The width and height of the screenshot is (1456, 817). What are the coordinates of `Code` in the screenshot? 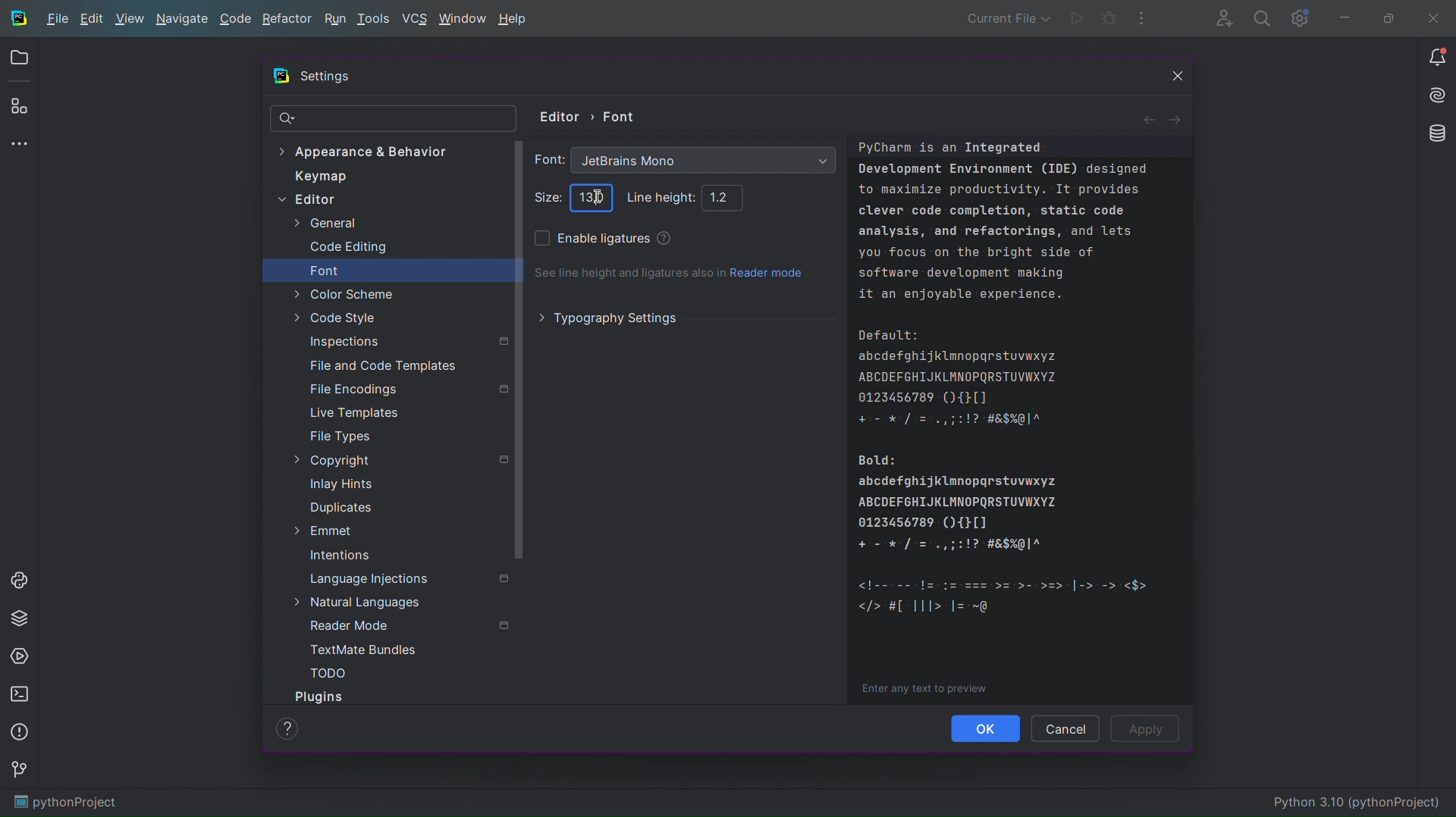 It's located at (1021, 422).